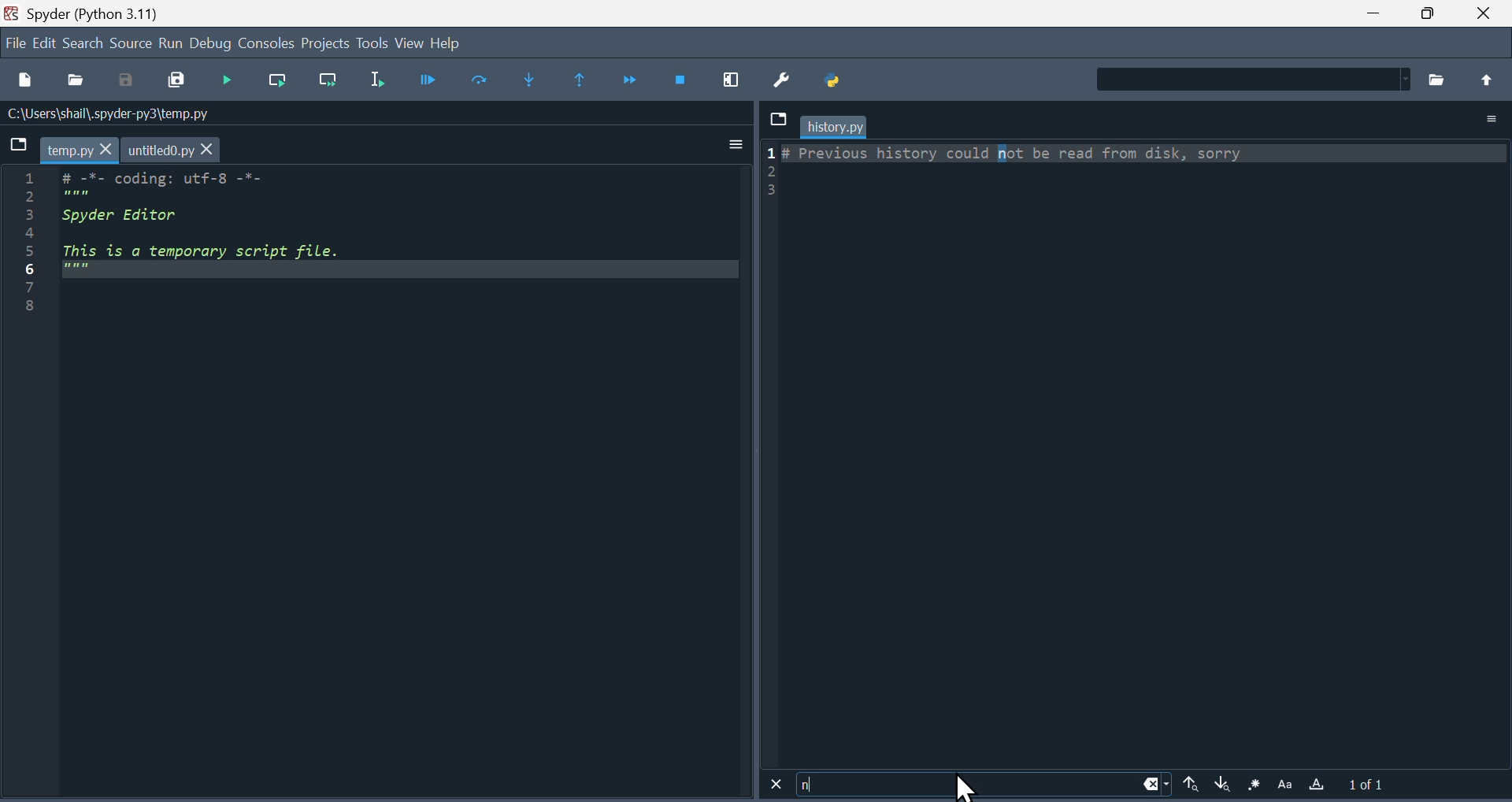  Describe the element at coordinates (28, 81) in the screenshot. I see `New file` at that location.